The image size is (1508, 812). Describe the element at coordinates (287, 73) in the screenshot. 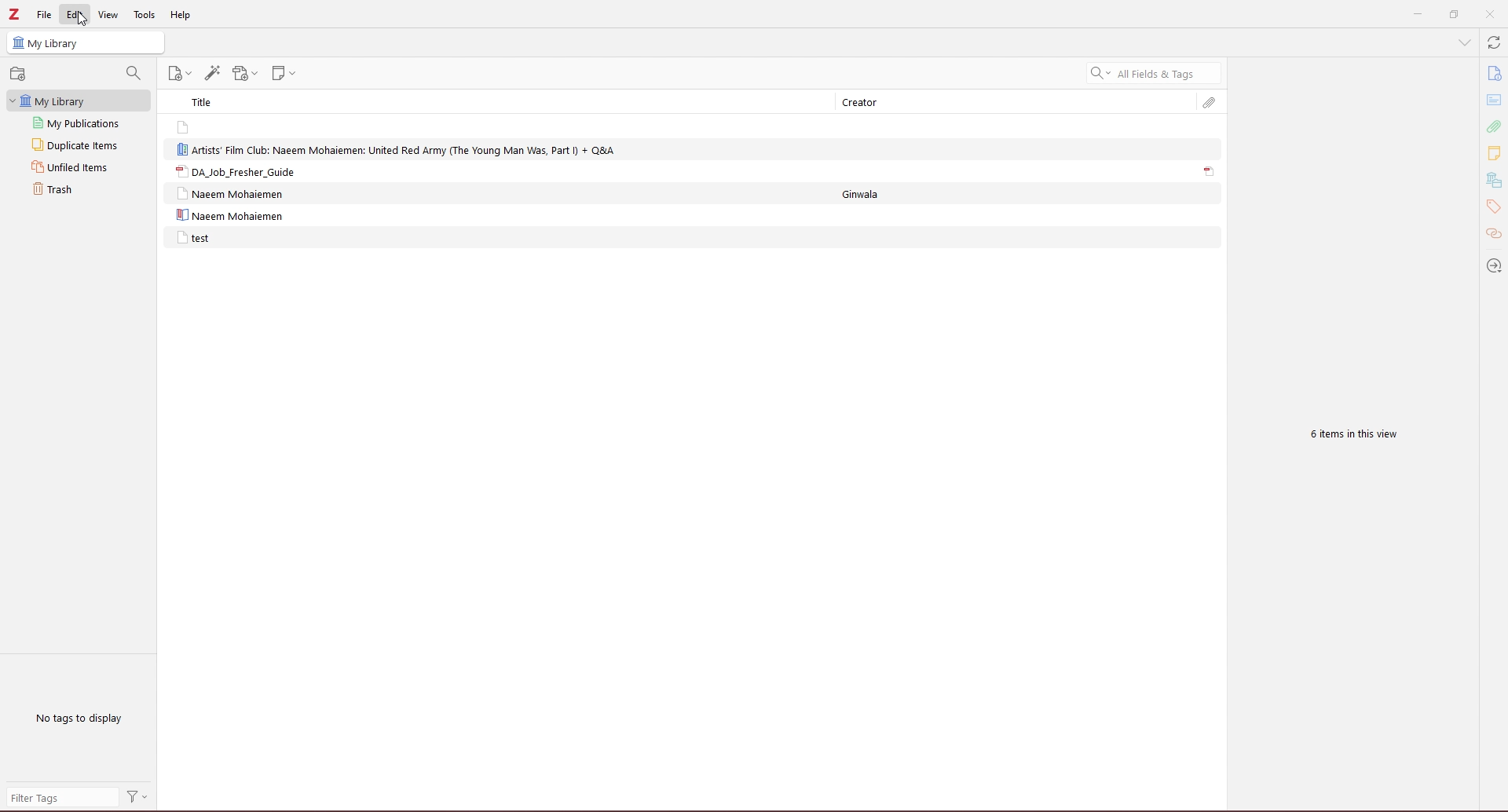

I see `new note` at that location.